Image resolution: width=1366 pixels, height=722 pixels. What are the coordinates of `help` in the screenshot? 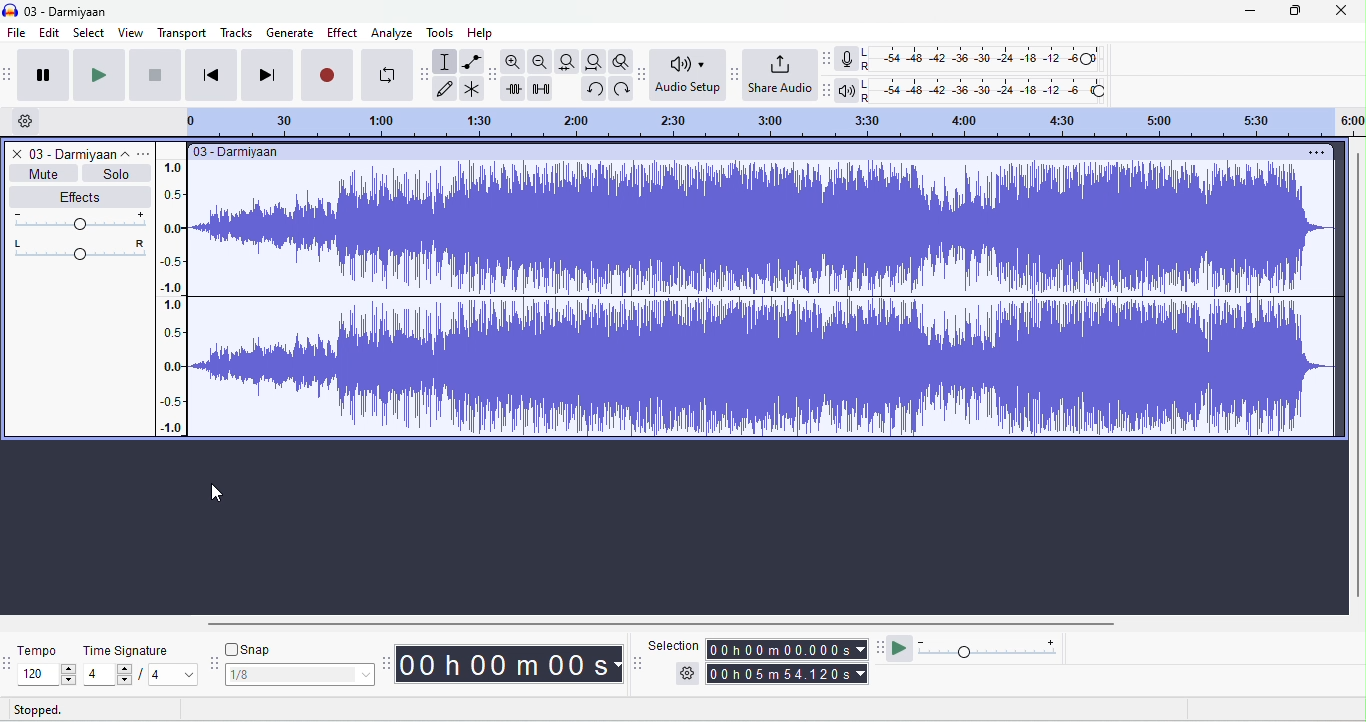 It's located at (480, 32).